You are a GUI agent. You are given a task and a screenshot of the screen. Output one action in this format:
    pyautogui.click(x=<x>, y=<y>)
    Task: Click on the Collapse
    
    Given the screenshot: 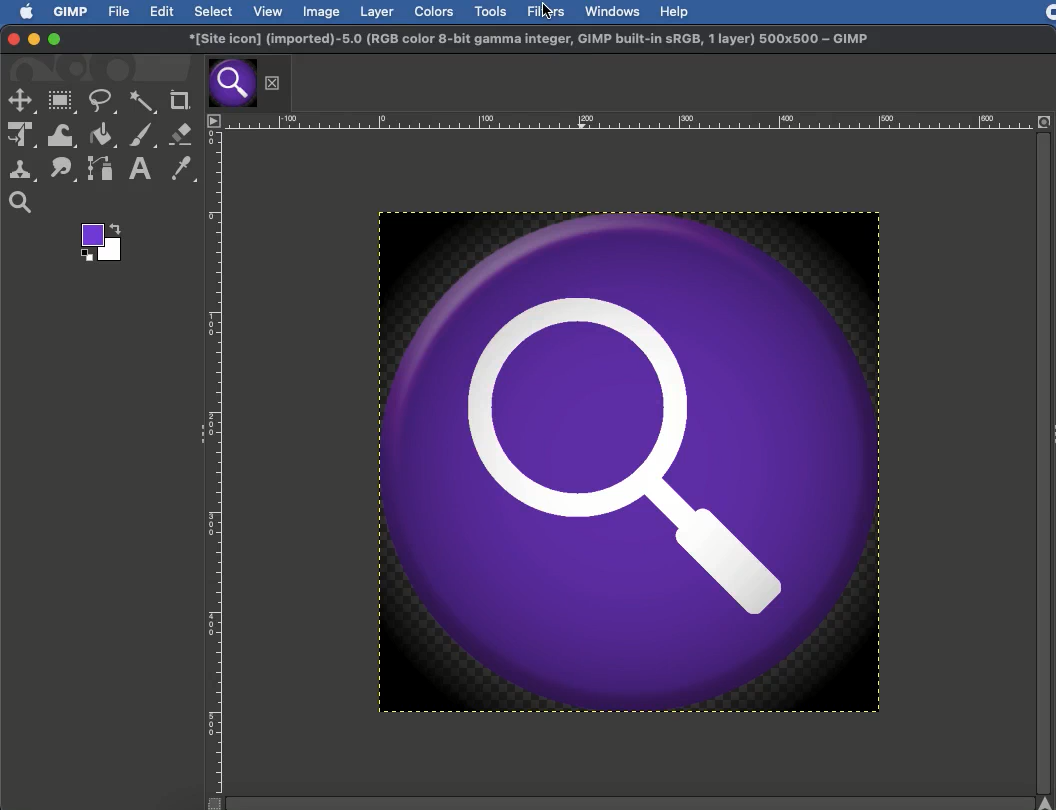 What is the action you would take?
    pyautogui.click(x=199, y=430)
    